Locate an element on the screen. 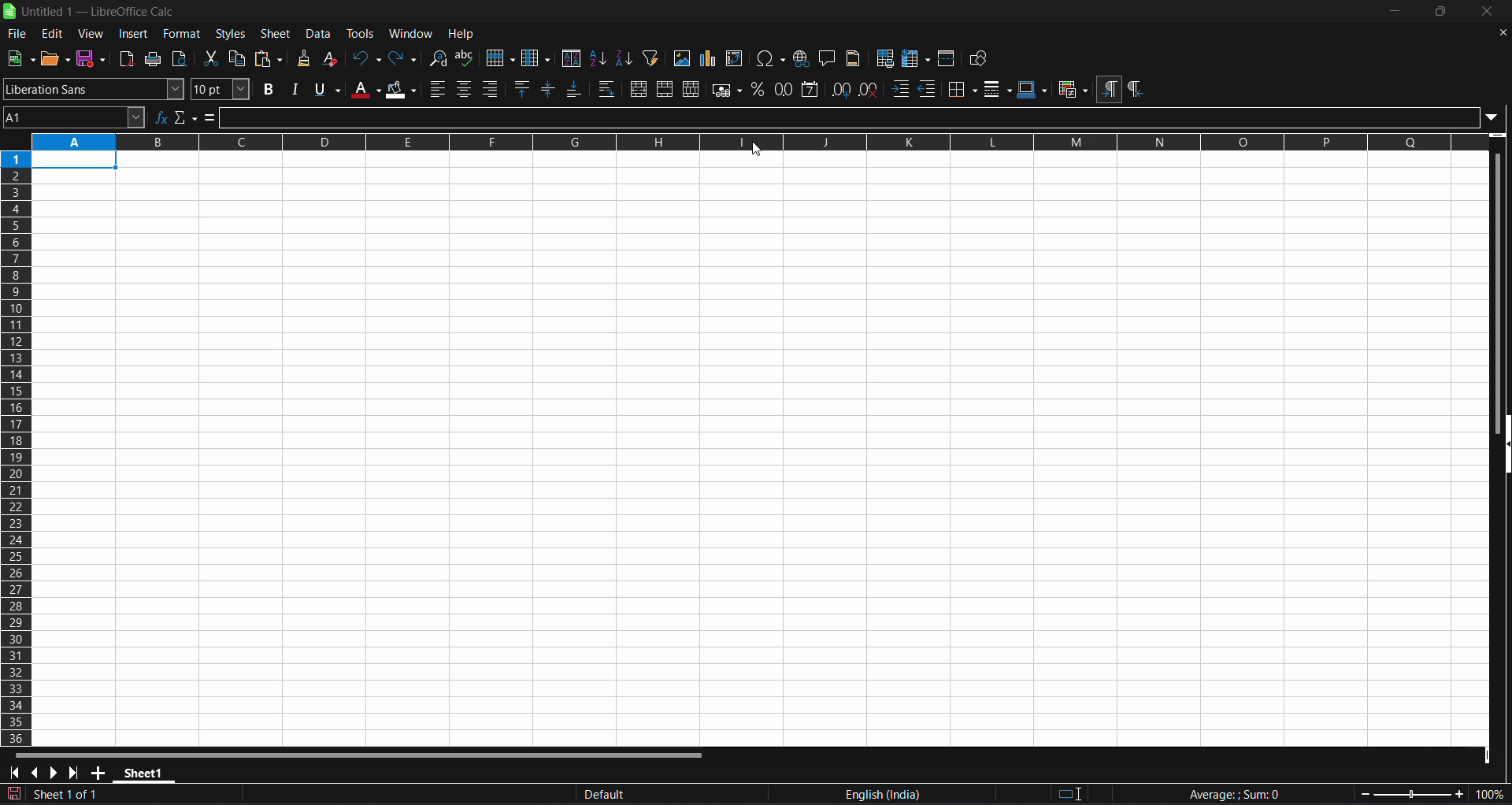 This screenshot has width=1512, height=805. open is located at coordinates (55, 58).